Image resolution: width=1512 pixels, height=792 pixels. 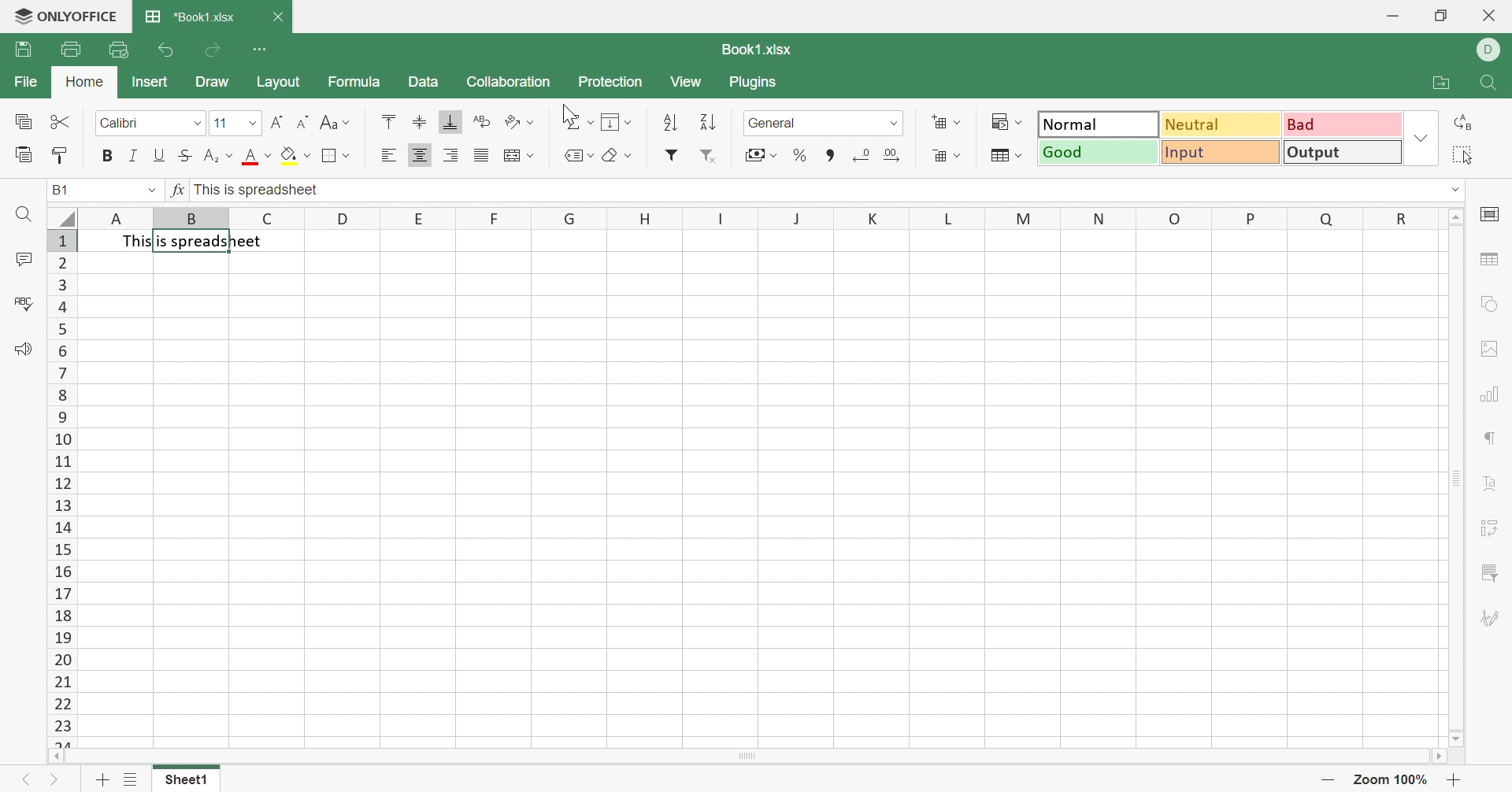 What do you see at coordinates (1453, 215) in the screenshot?
I see `Scroll Up` at bounding box center [1453, 215].